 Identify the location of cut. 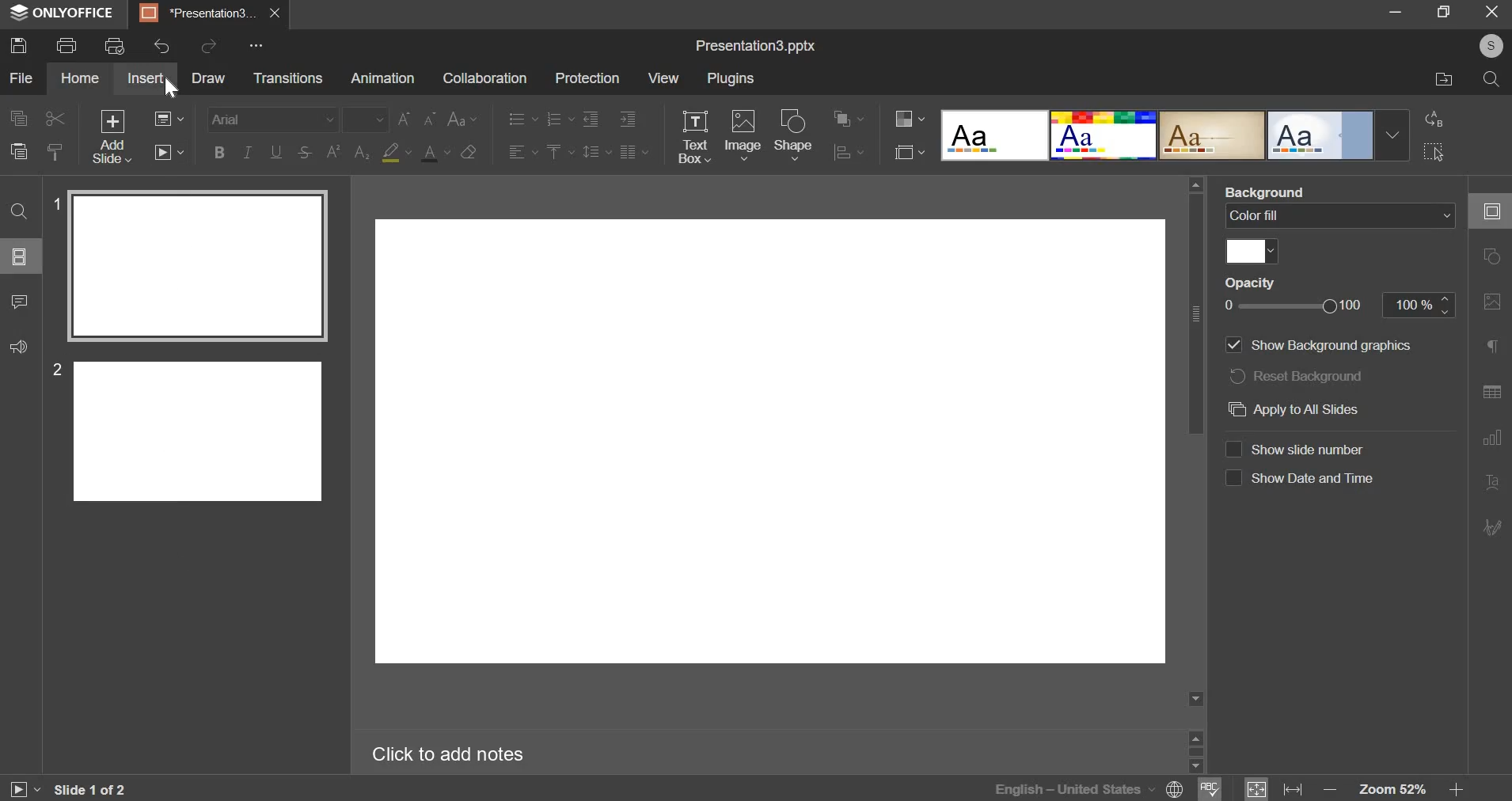
(56, 119).